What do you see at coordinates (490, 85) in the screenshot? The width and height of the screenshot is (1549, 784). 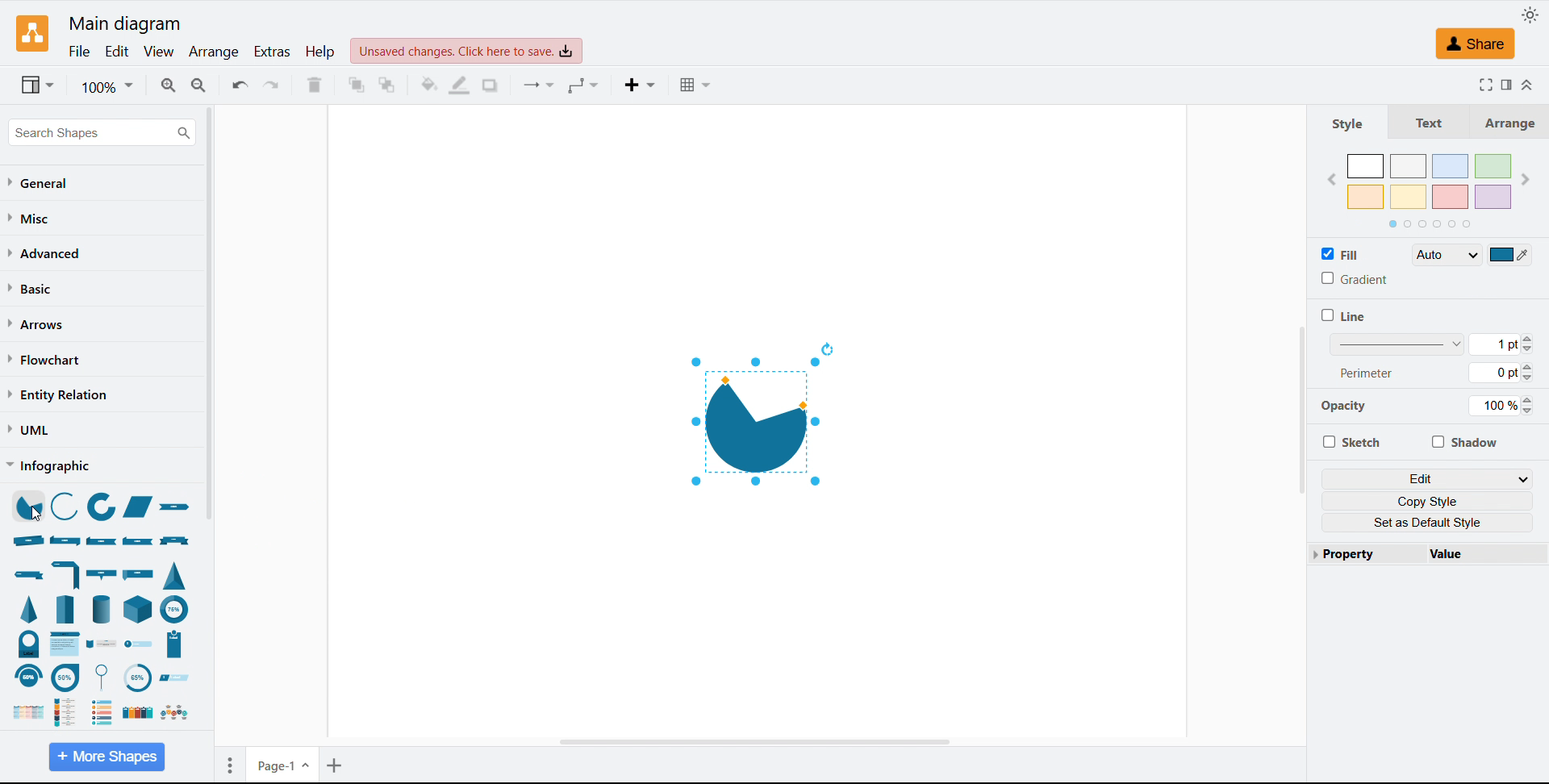 I see `Shadow ` at bounding box center [490, 85].